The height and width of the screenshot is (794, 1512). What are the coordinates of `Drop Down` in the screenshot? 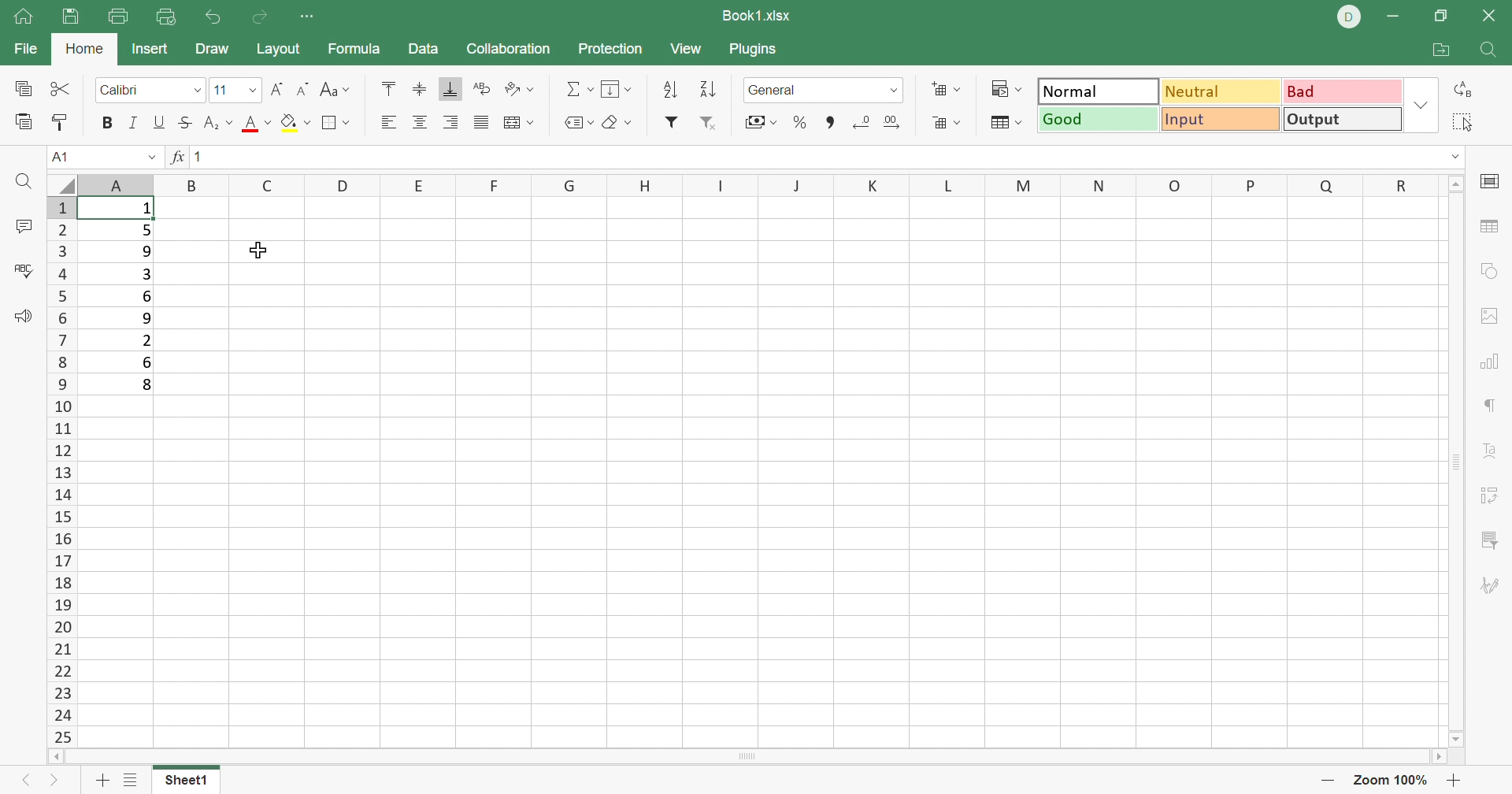 It's located at (1457, 161).